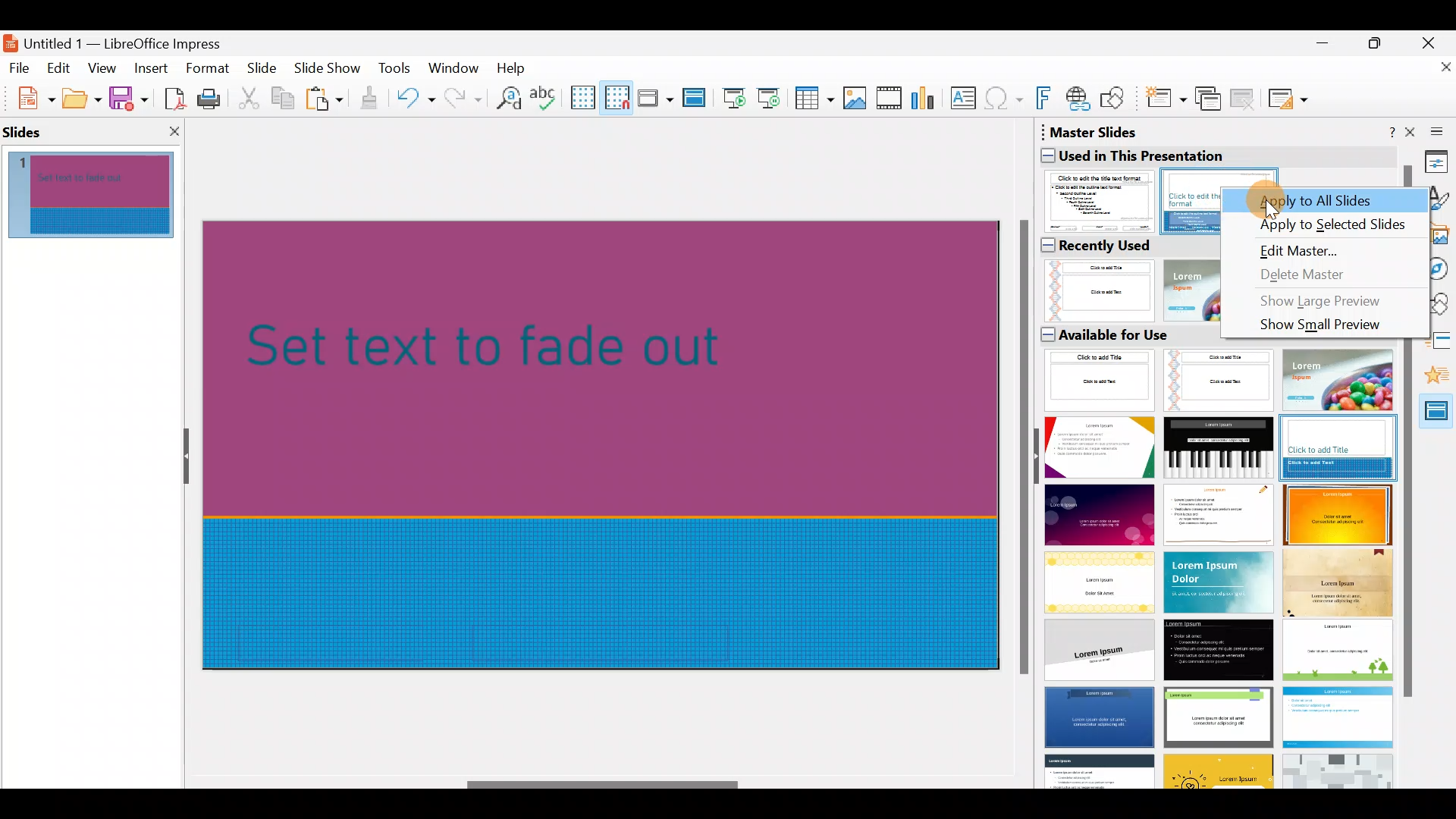 The image size is (1456, 819). I want to click on Paste, so click(326, 101).